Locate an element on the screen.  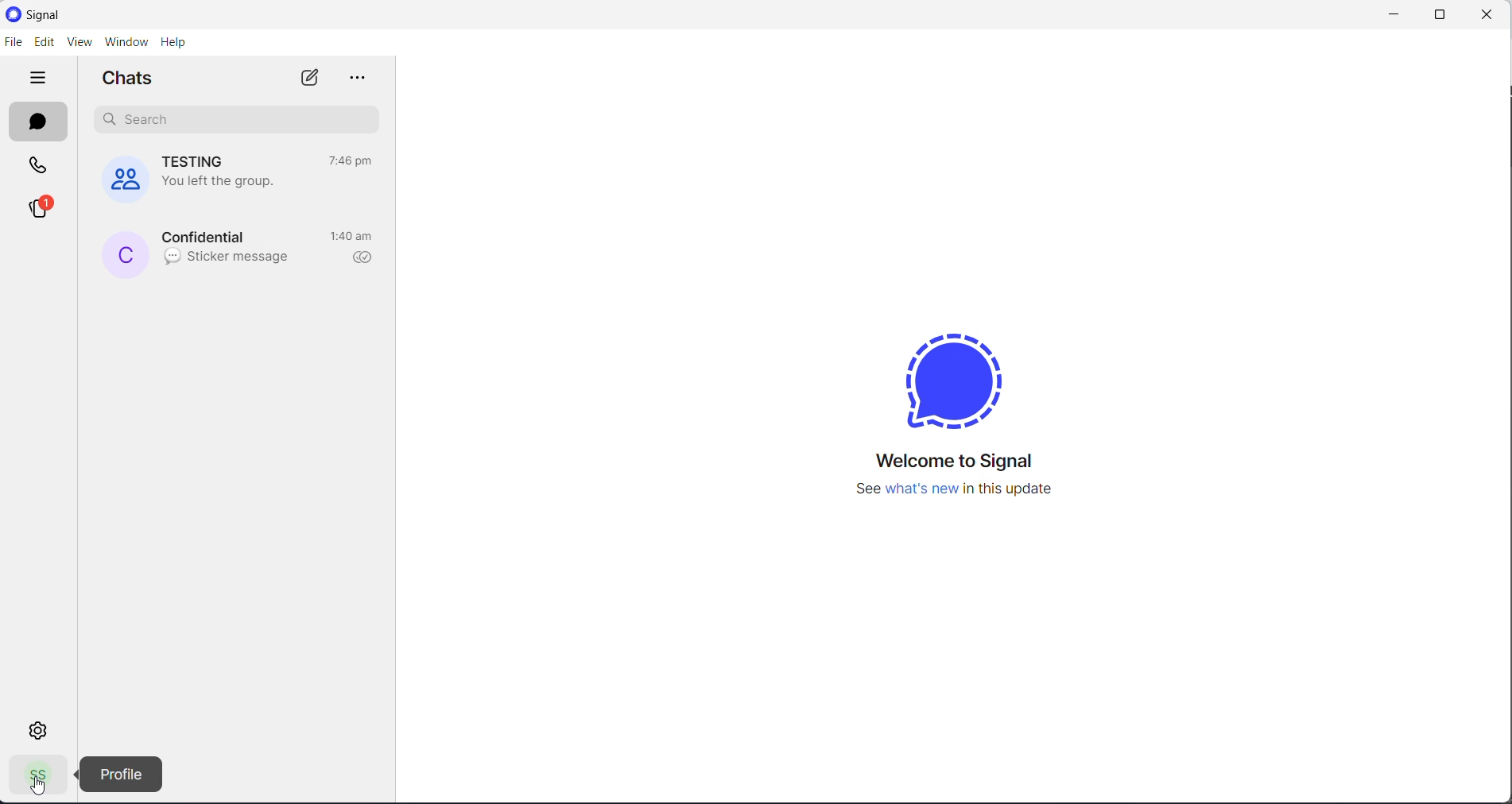
chats is located at coordinates (41, 124).